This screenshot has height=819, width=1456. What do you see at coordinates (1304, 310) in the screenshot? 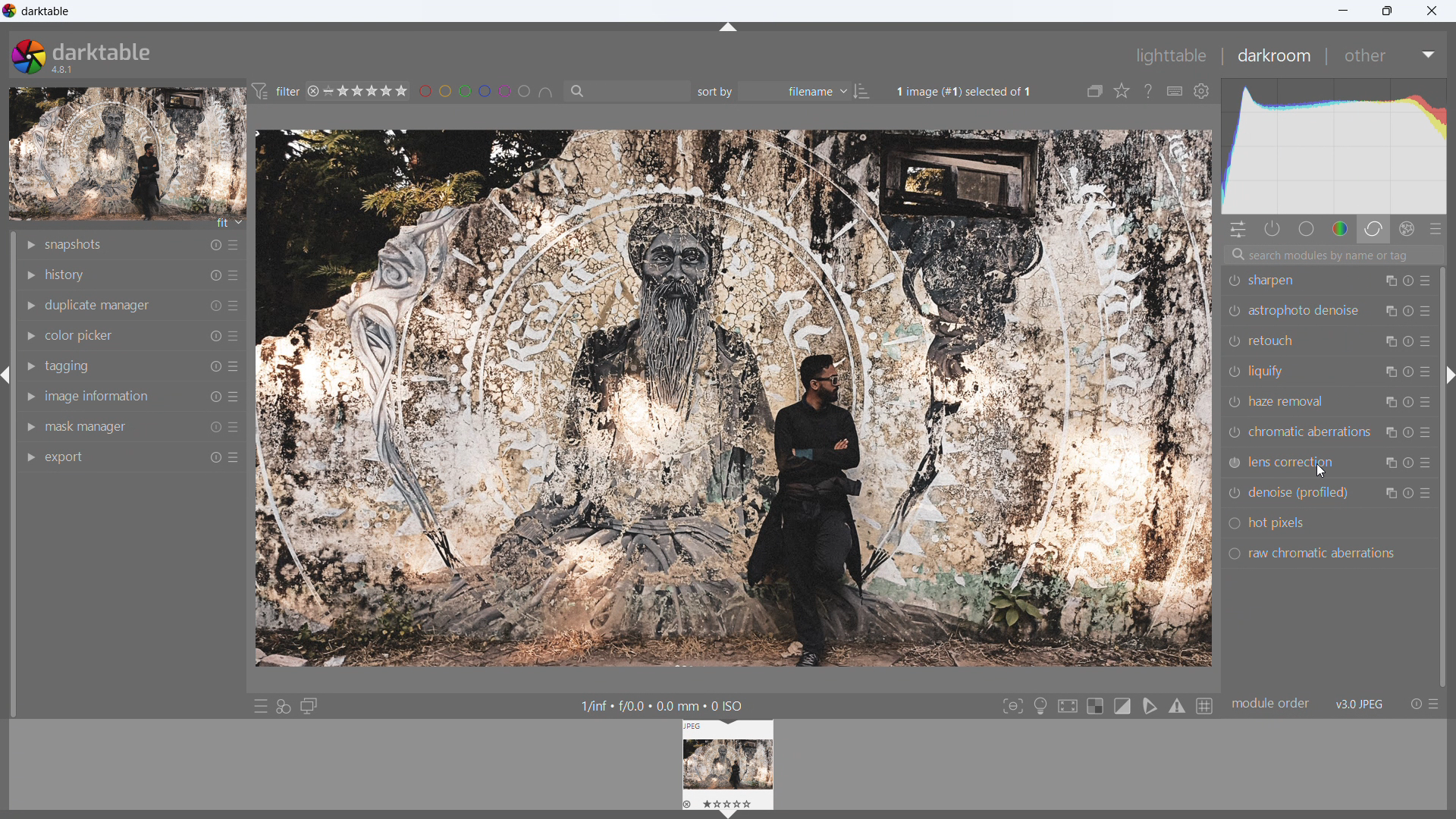
I see `astrophoto denoise` at bounding box center [1304, 310].